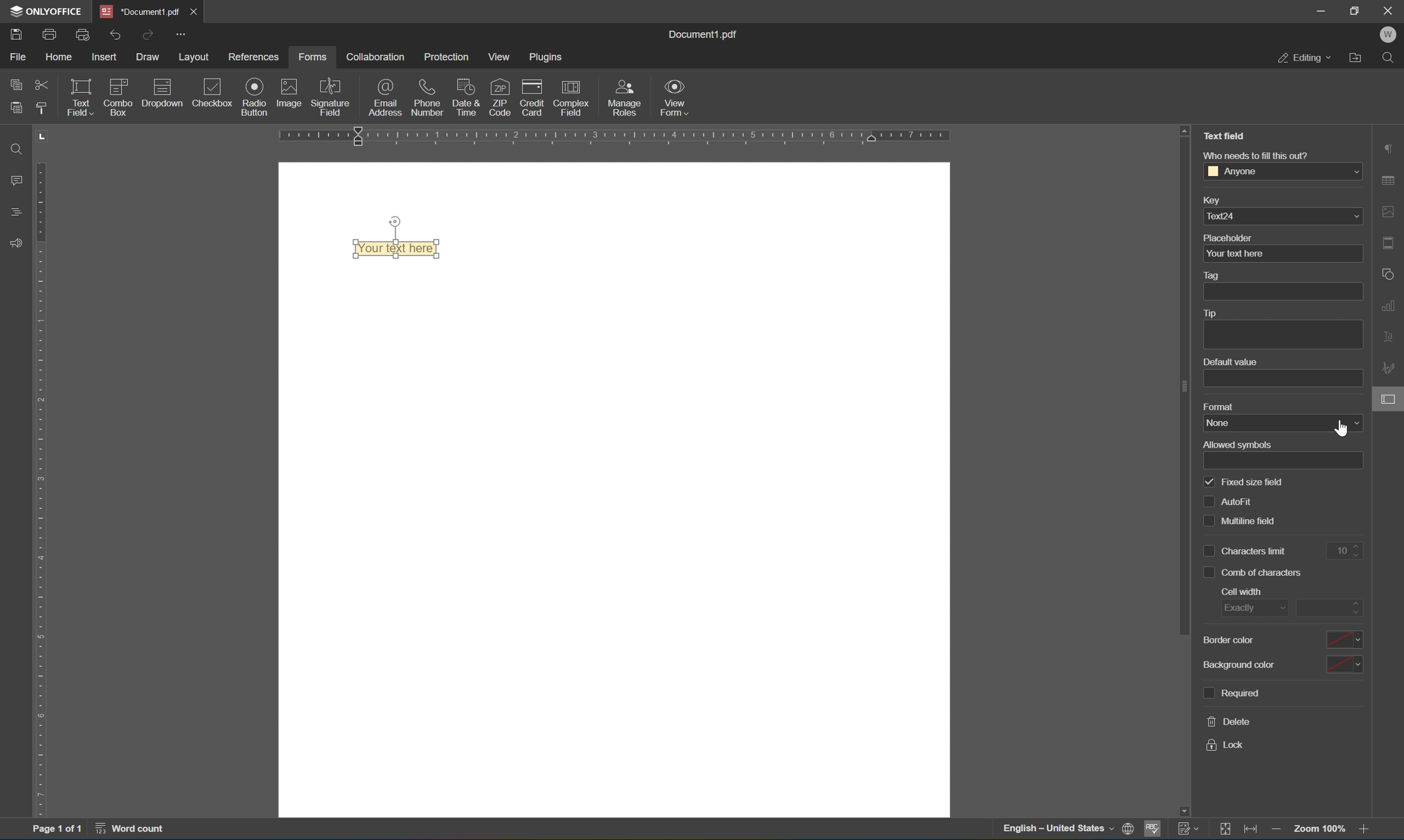  Describe the element at coordinates (312, 57) in the screenshot. I see `forms` at that location.